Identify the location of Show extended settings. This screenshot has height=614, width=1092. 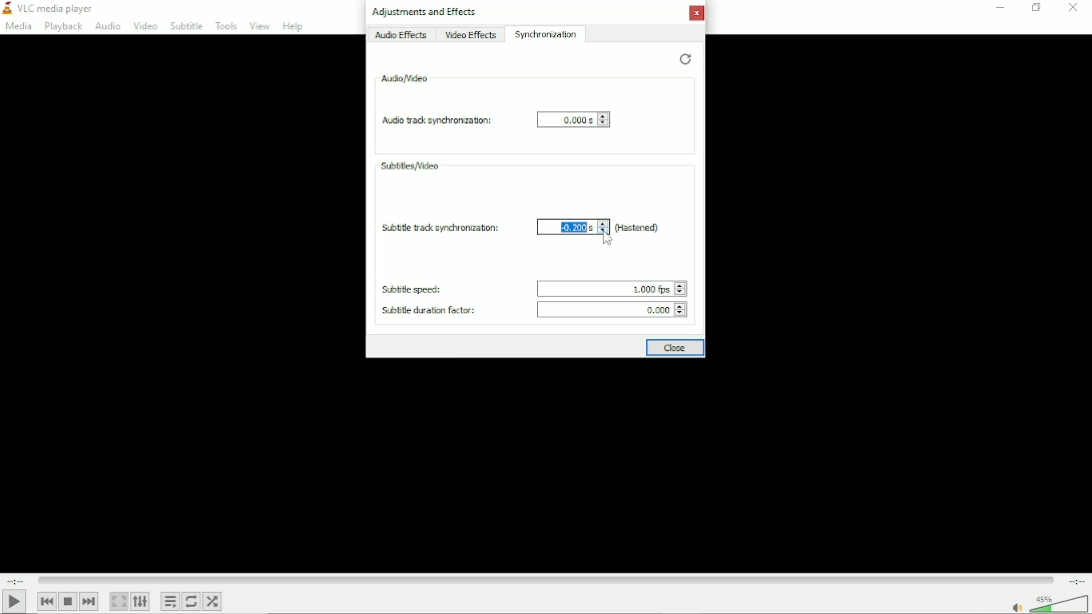
(141, 602).